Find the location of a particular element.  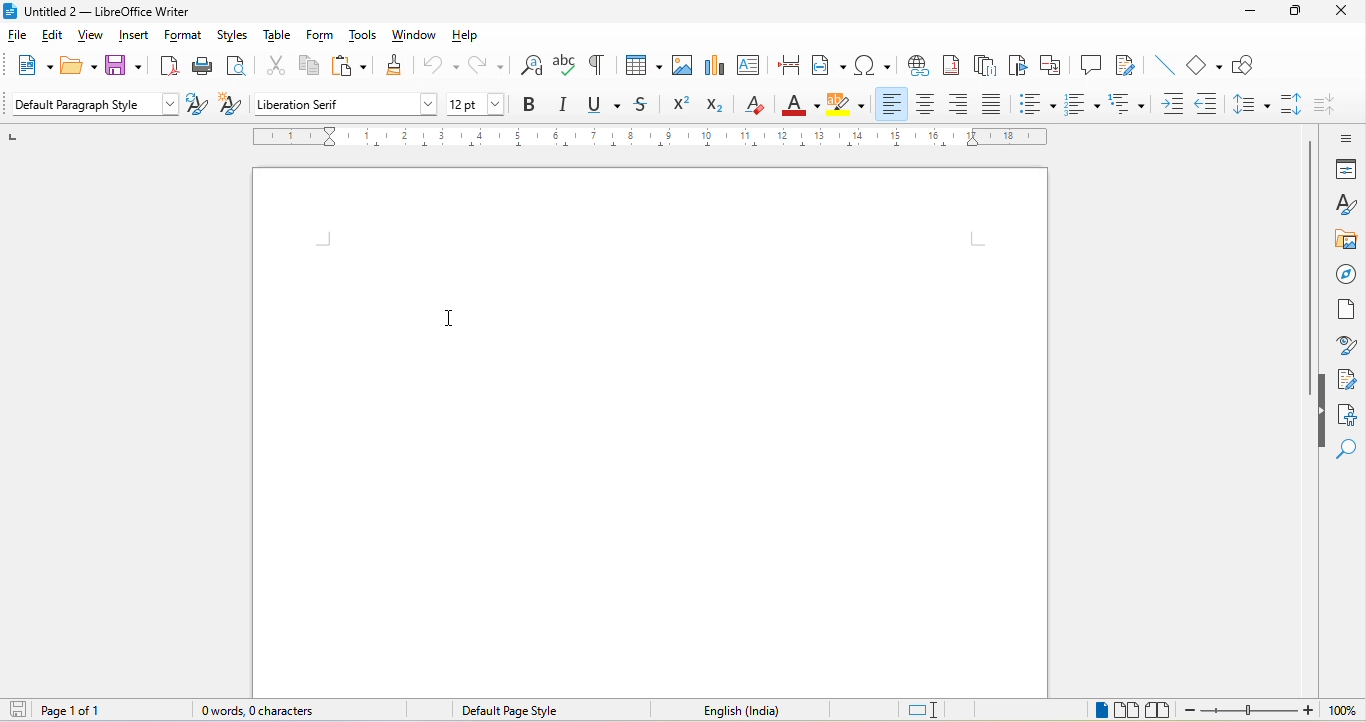

bold is located at coordinates (529, 107).